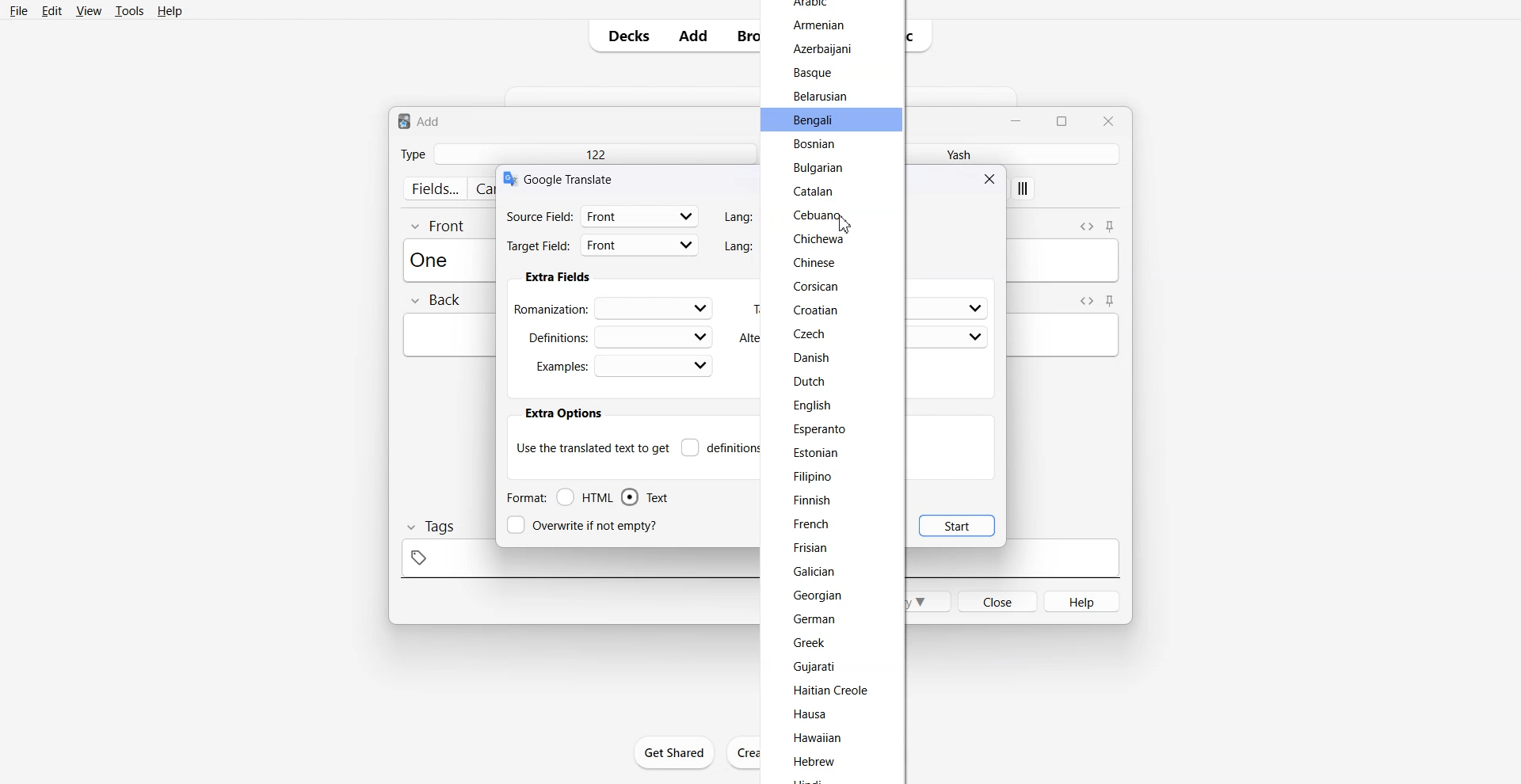 The height and width of the screenshot is (784, 1521). What do you see at coordinates (817, 168) in the screenshot?
I see `Bulgarian` at bounding box center [817, 168].